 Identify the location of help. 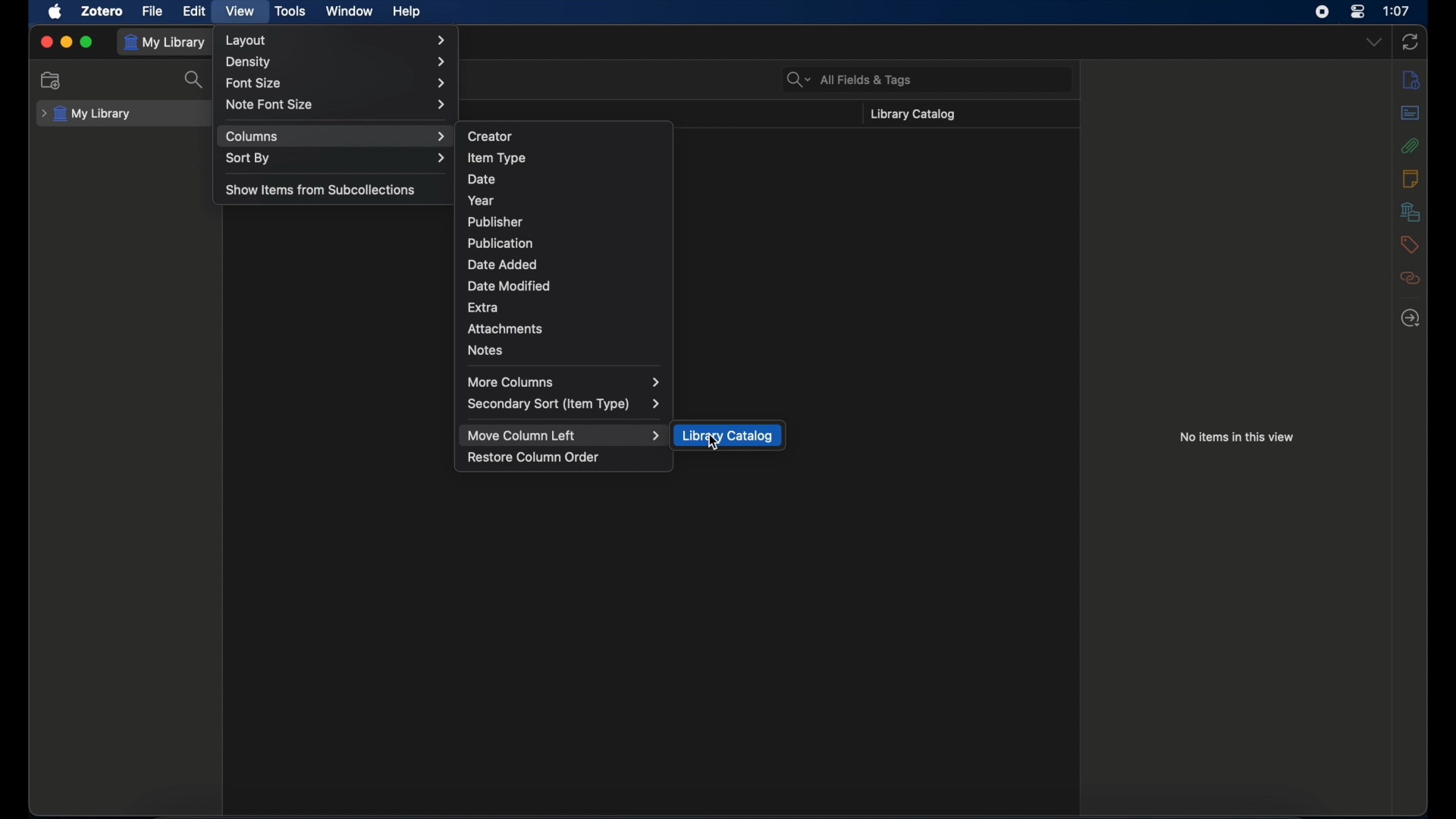
(408, 12).